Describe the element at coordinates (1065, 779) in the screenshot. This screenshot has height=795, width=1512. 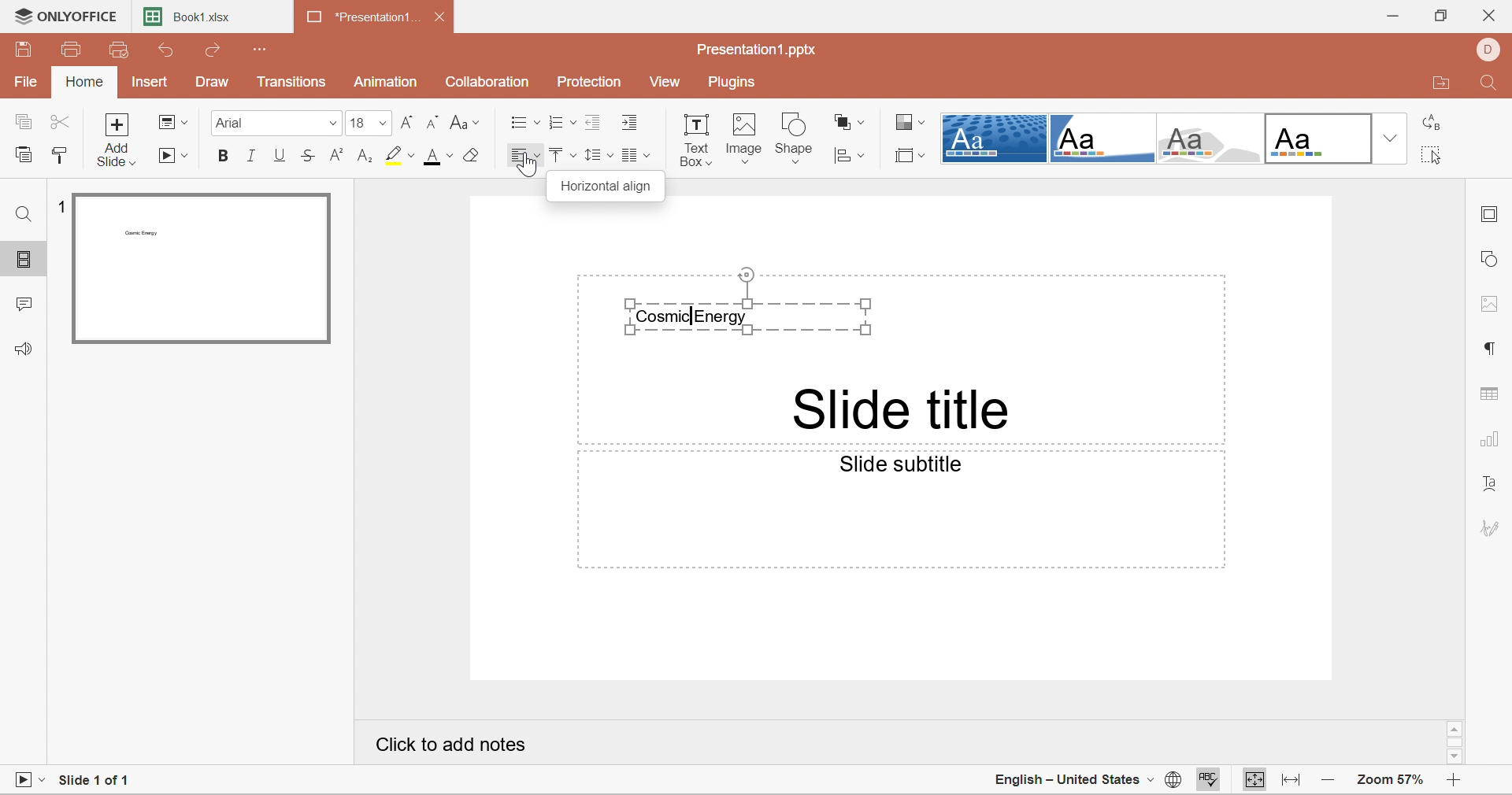
I see `English - United States` at that location.